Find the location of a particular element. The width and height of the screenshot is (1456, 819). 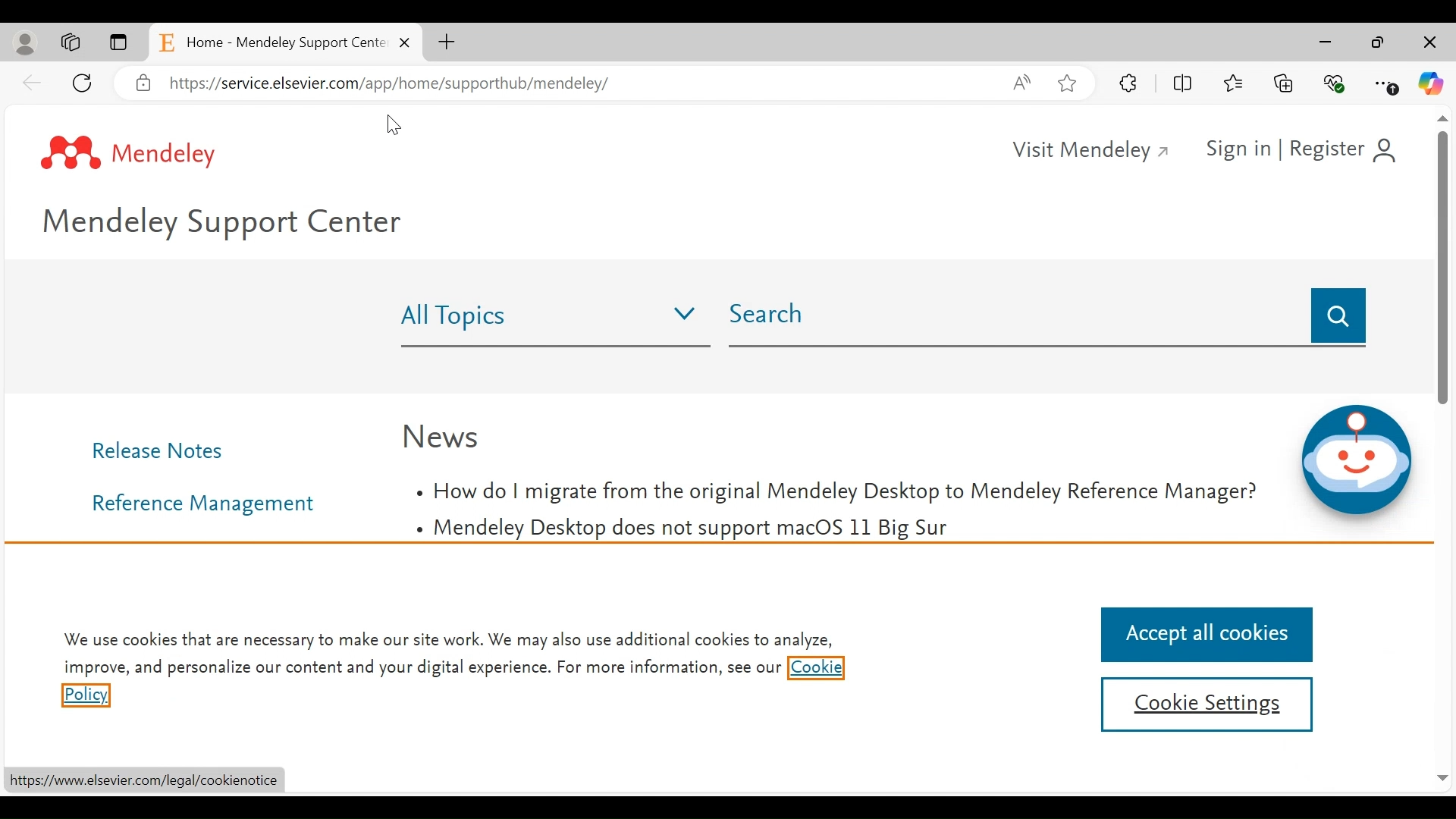

Restore is located at coordinates (1378, 42).